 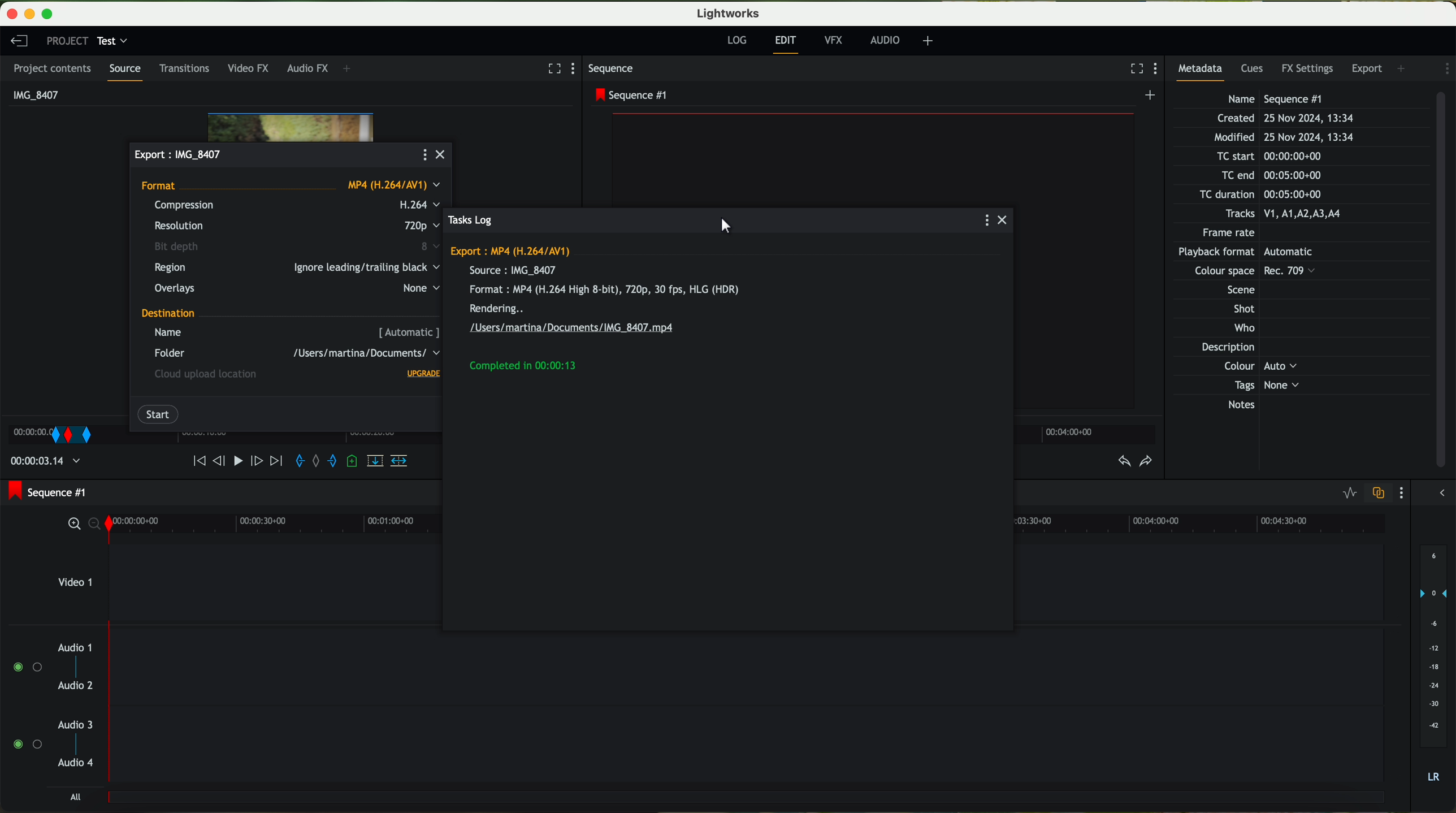 What do you see at coordinates (1445, 68) in the screenshot?
I see `show settings menu` at bounding box center [1445, 68].